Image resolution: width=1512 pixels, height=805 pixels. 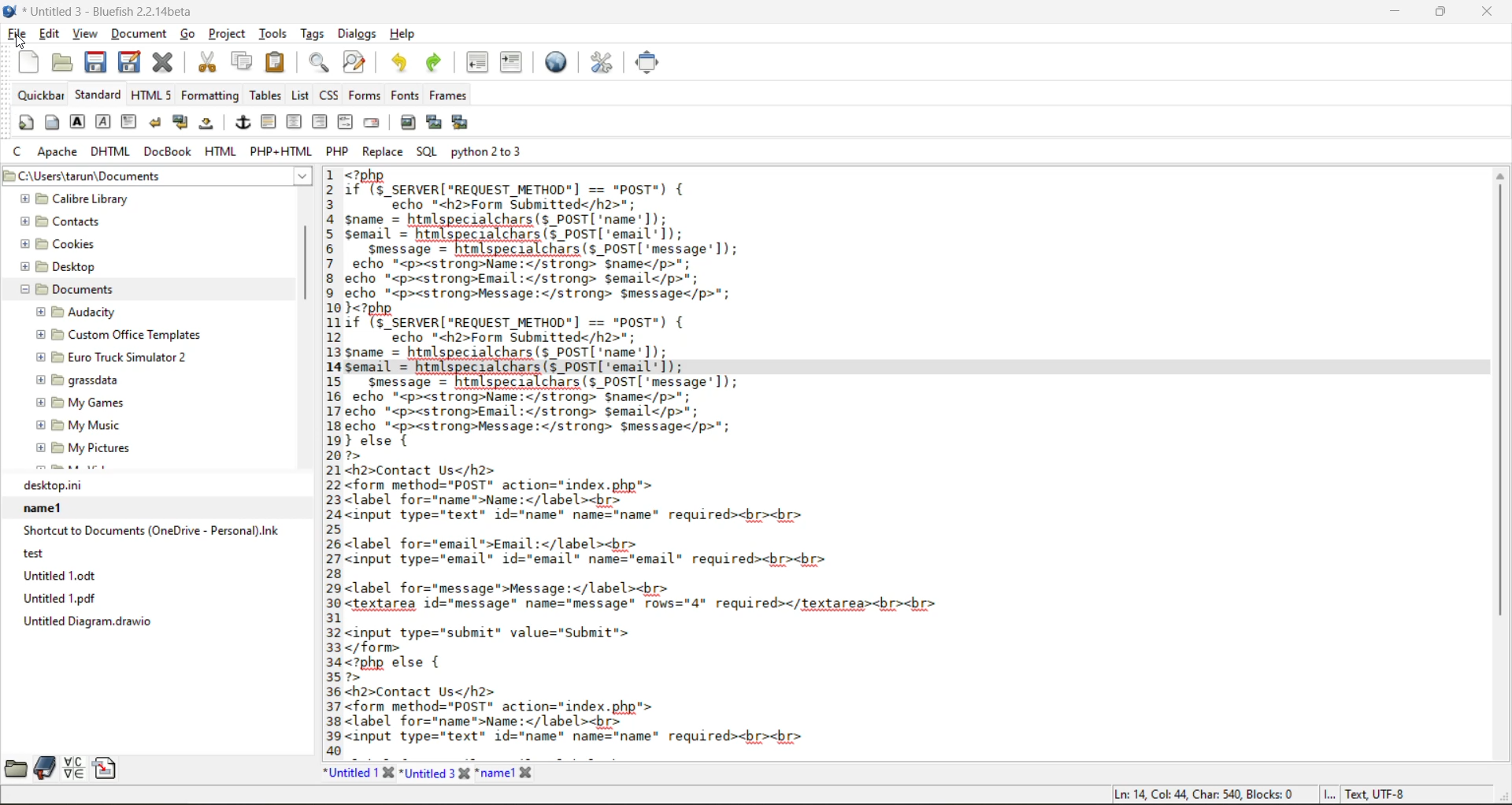 What do you see at coordinates (340, 151) in the screenshot?
I see `php` at bounding box center [340, 151].